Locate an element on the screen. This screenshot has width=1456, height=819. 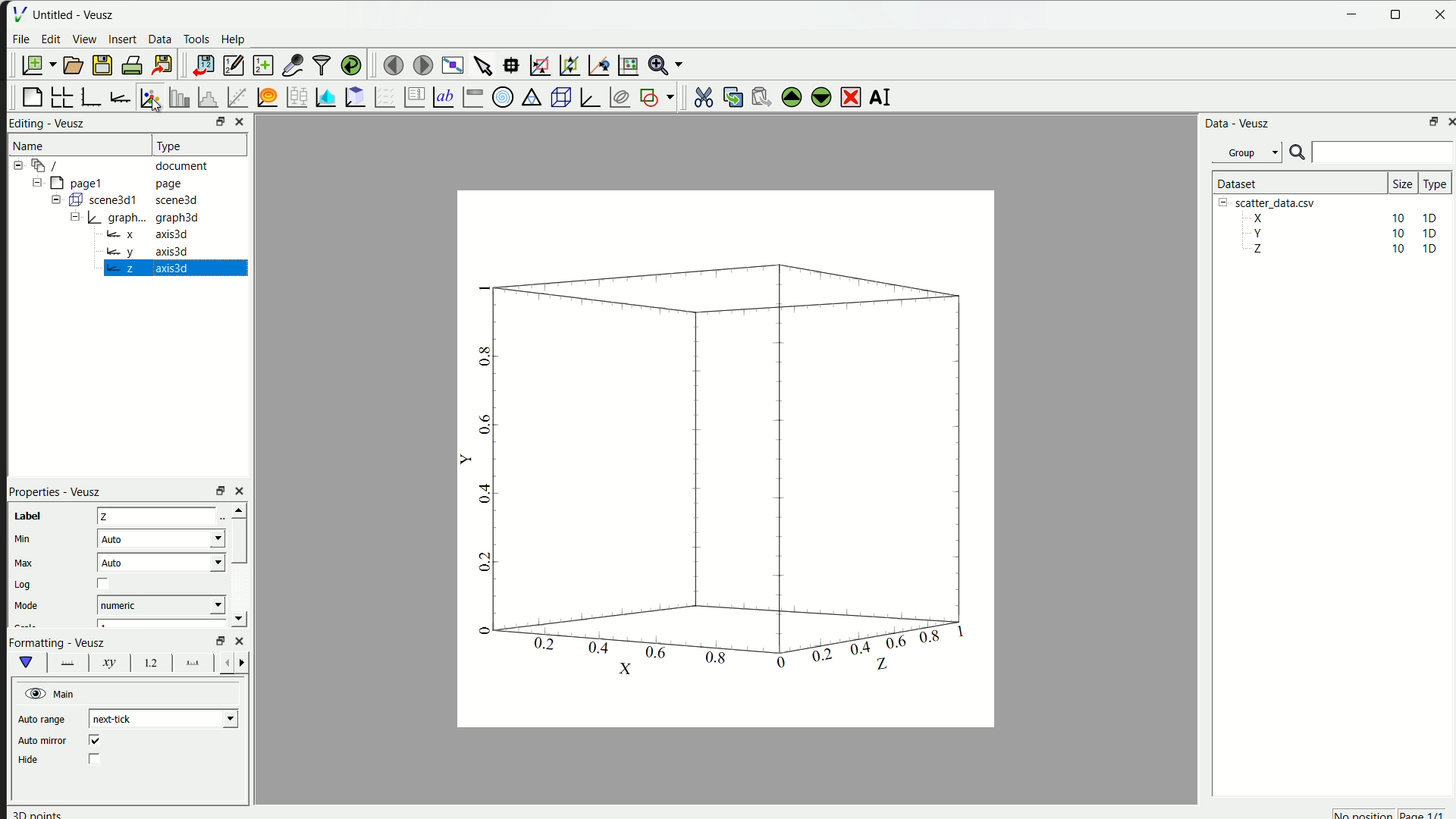
} Min is located at coordinates (21, 539).